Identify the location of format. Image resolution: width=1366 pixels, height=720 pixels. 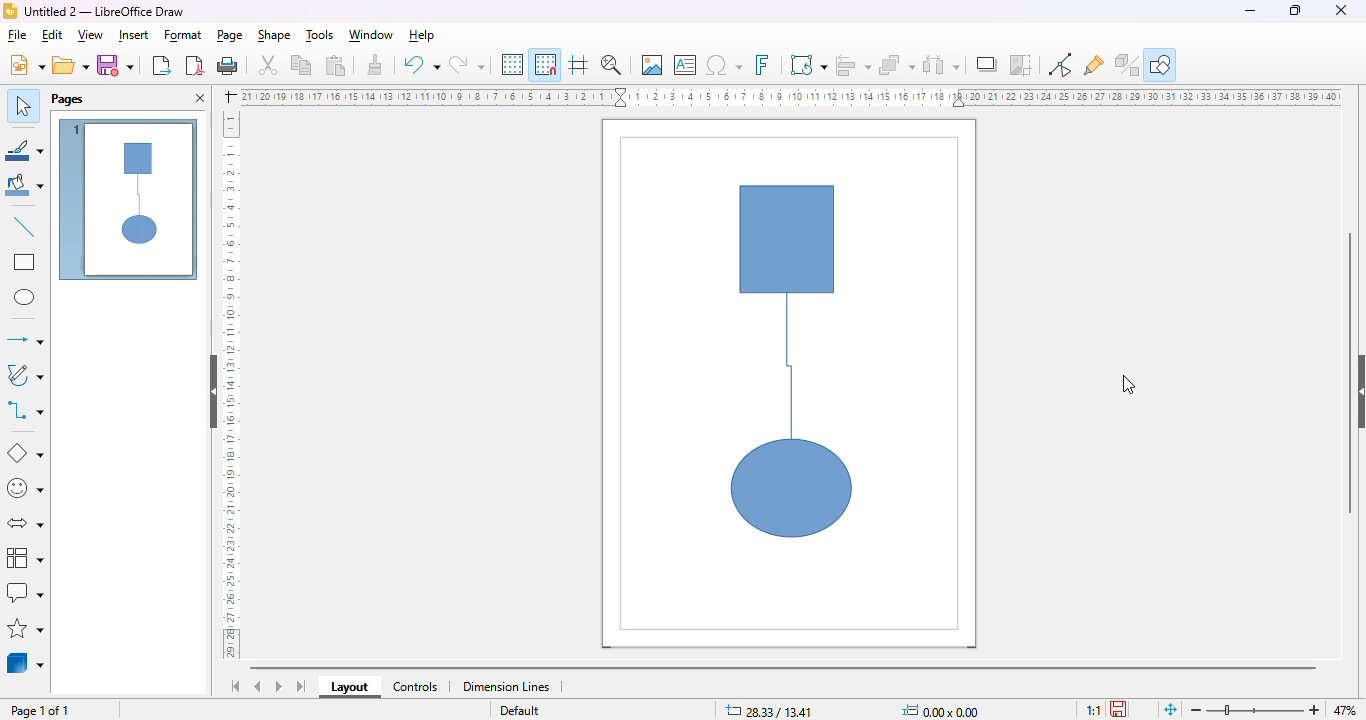
(184, 35).